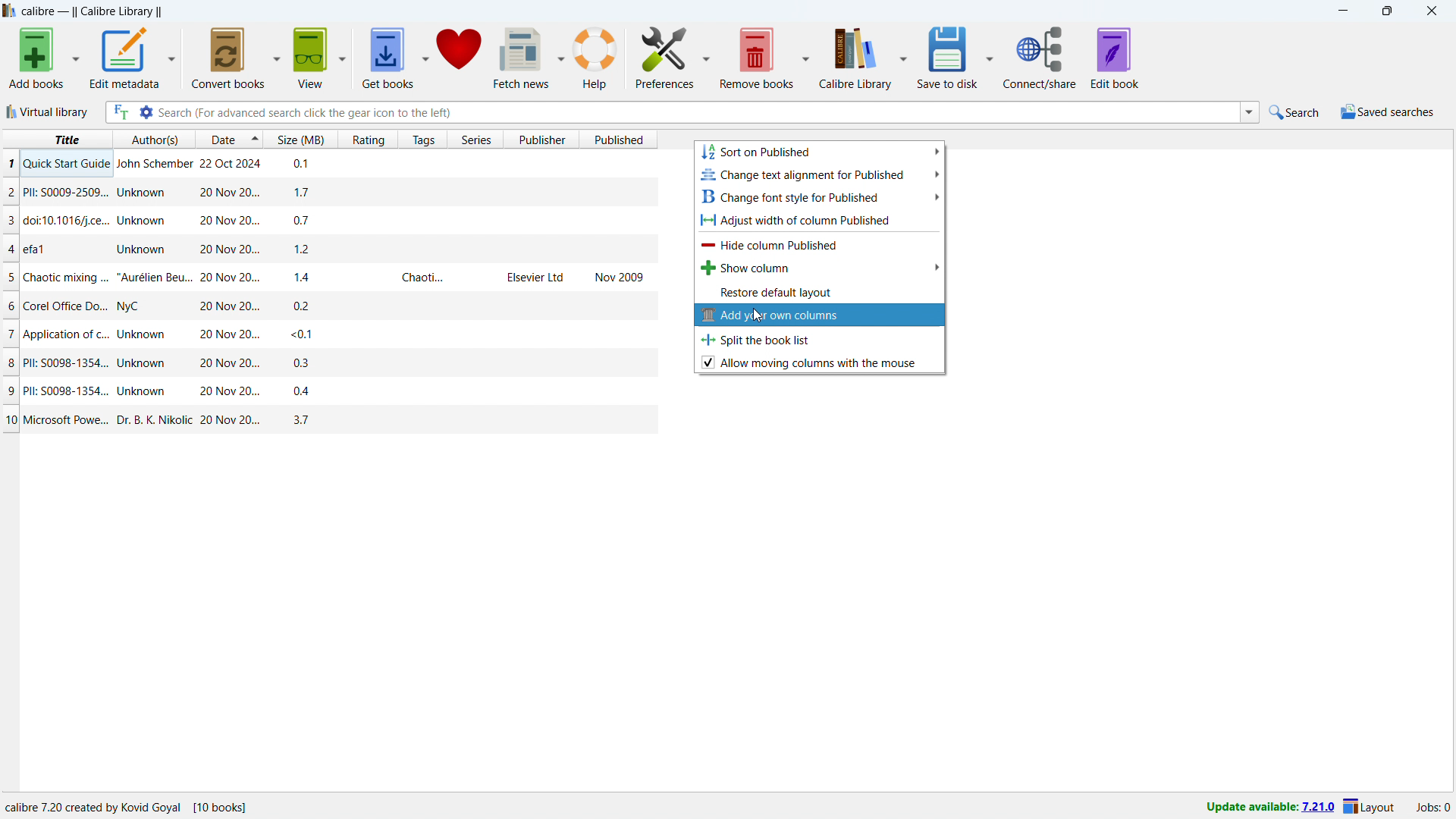  I want to click on quick search, so click(1295, 111).